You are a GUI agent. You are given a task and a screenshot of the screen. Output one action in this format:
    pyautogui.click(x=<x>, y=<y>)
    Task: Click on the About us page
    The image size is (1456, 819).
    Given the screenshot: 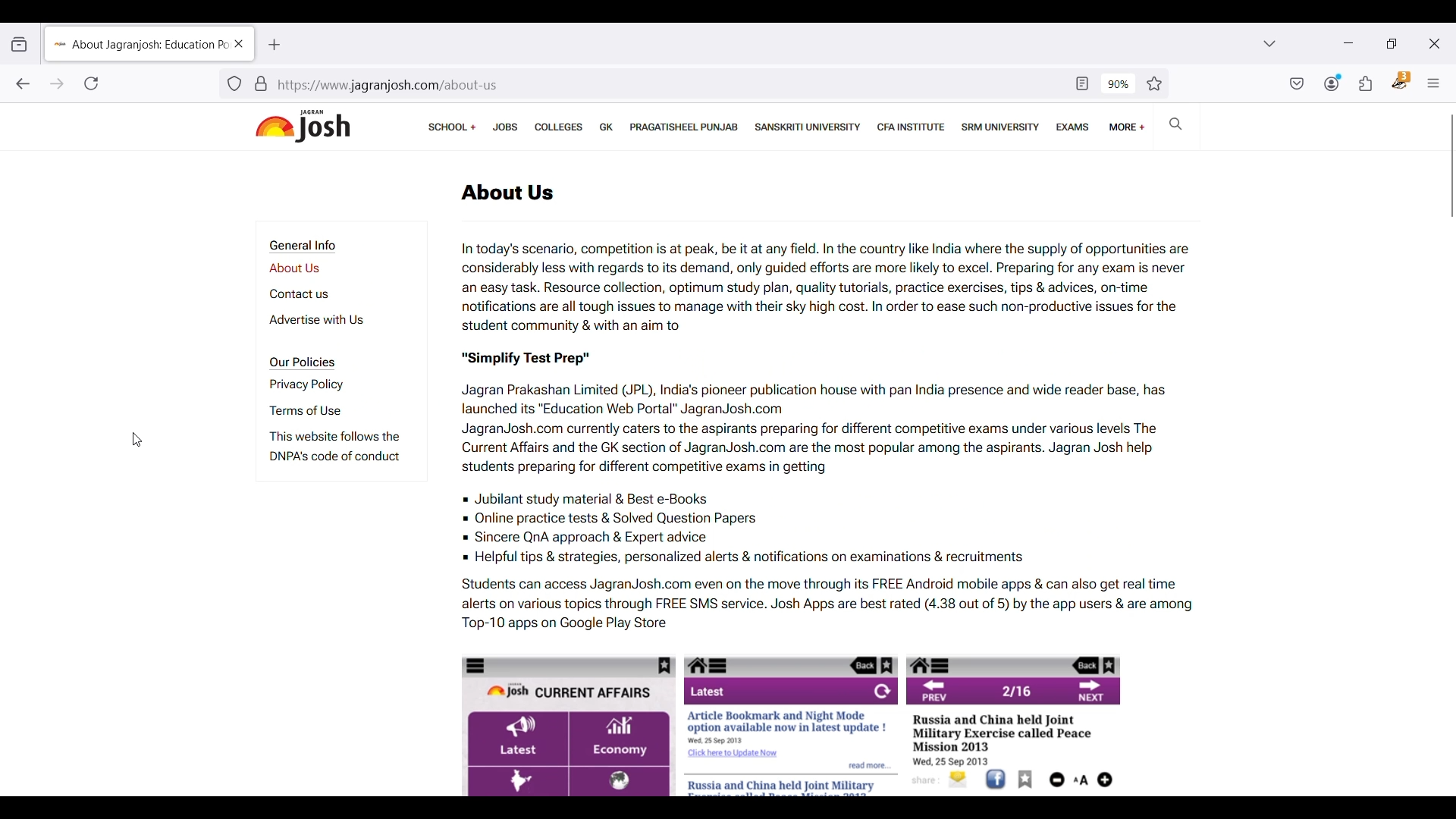 What is the action you would take?
    pyautogui.click(x=318, y=268)
    